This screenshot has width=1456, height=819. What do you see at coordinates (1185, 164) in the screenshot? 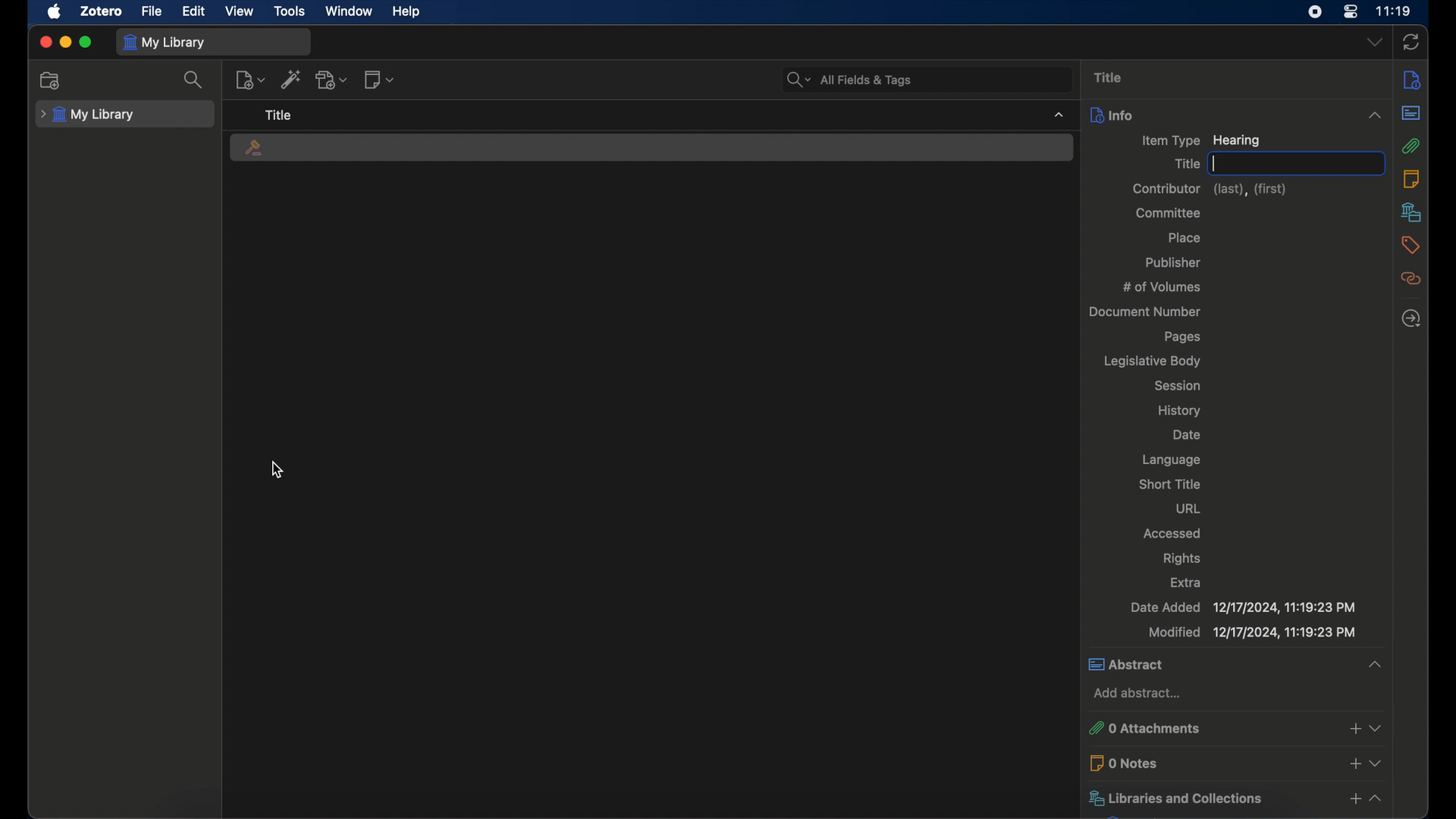
I see `title` at bounding box center [1185, 164].